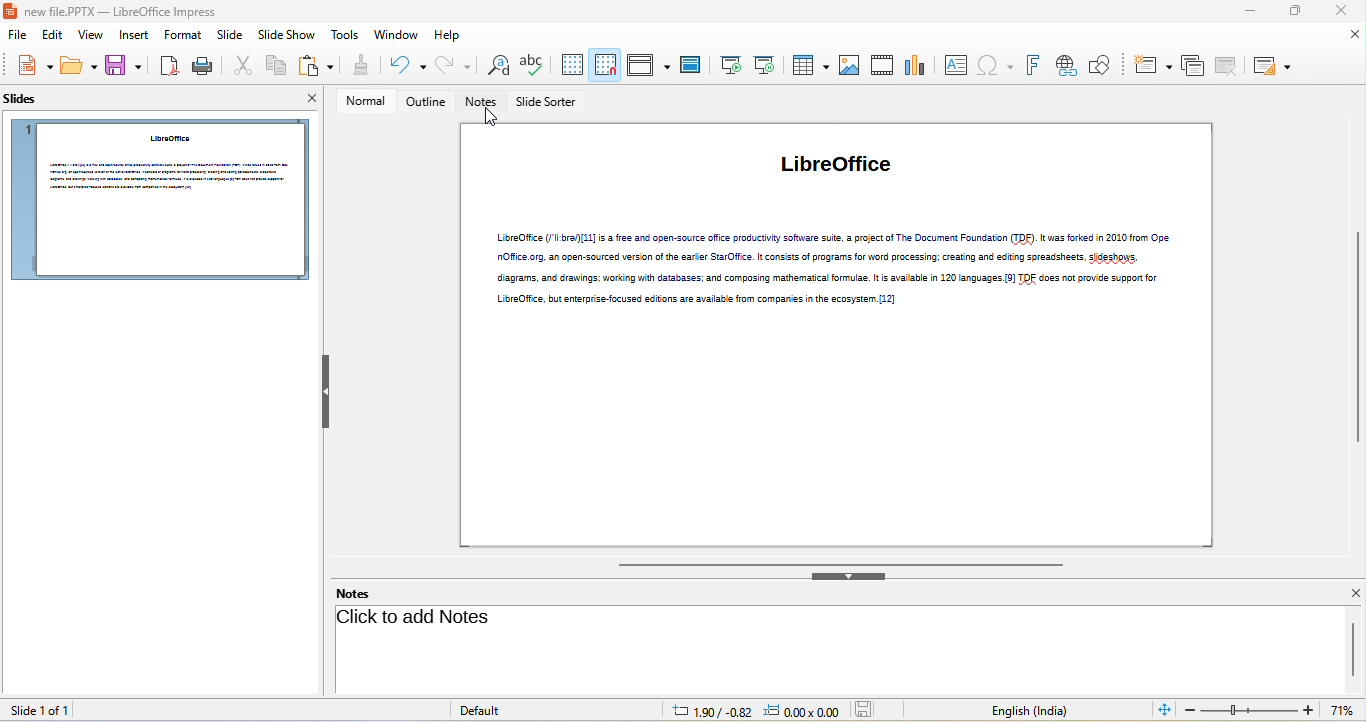 Image resolution: width=1366 pixels, height=722 pixels. What do you see at coordinates (28, 103) in the screenshot?
I see `slides` at bounding box center [28, 103].